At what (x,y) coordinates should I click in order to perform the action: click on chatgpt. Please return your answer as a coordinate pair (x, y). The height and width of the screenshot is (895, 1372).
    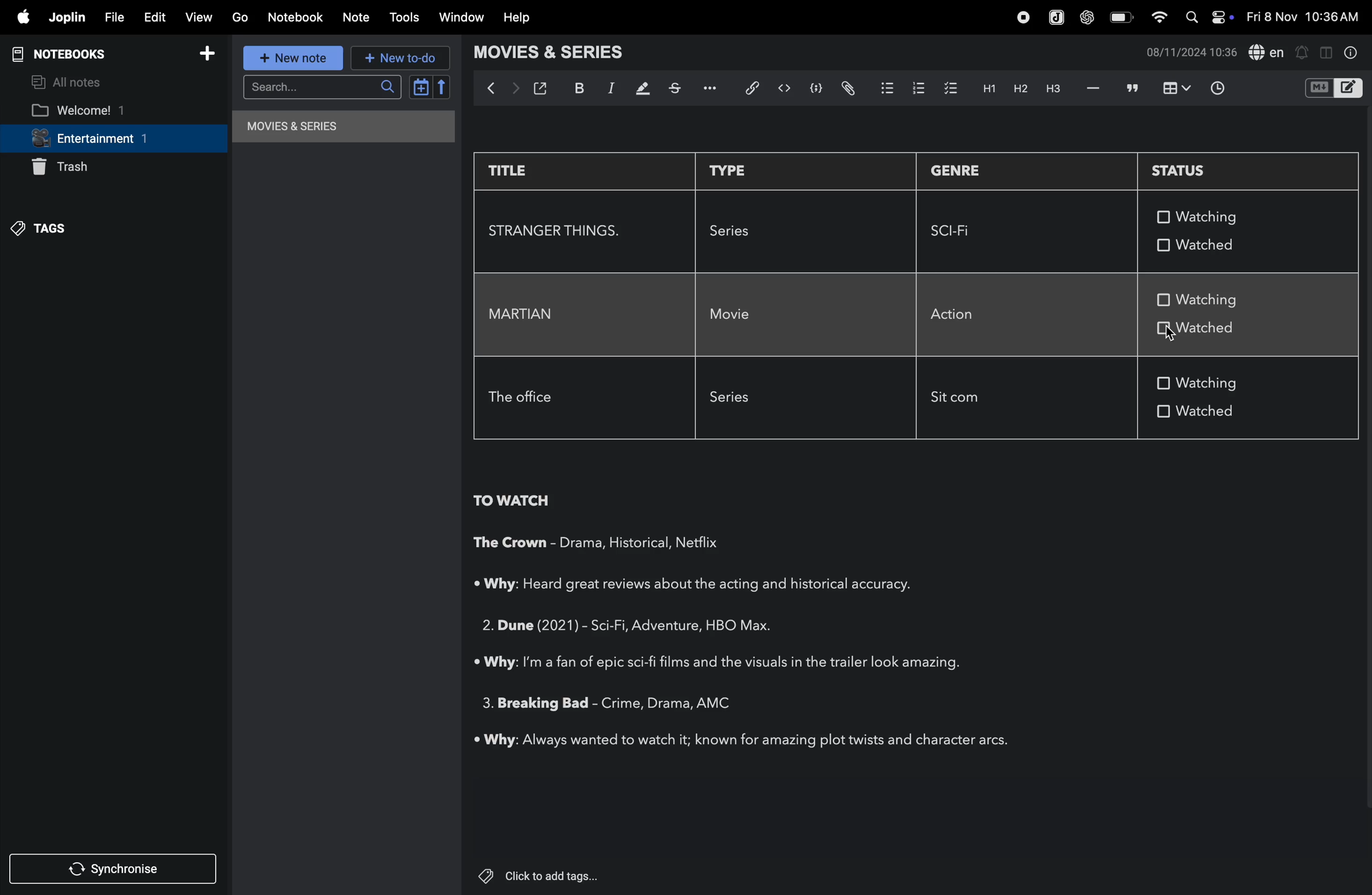
    Looking at the image, I should click on (1087, 18).